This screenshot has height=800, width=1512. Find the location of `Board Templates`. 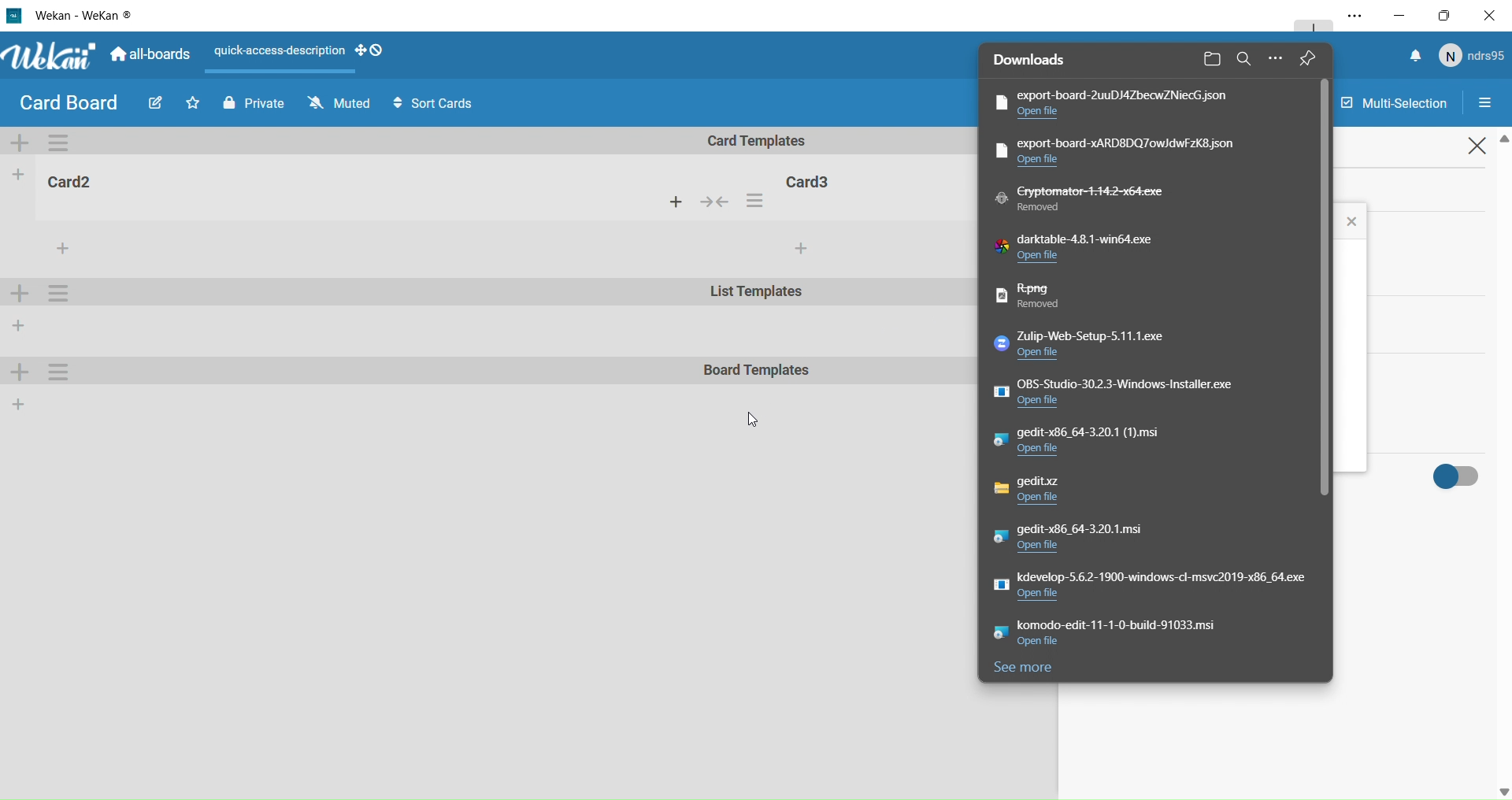

Board Templates is located at coordinates (758, 372).